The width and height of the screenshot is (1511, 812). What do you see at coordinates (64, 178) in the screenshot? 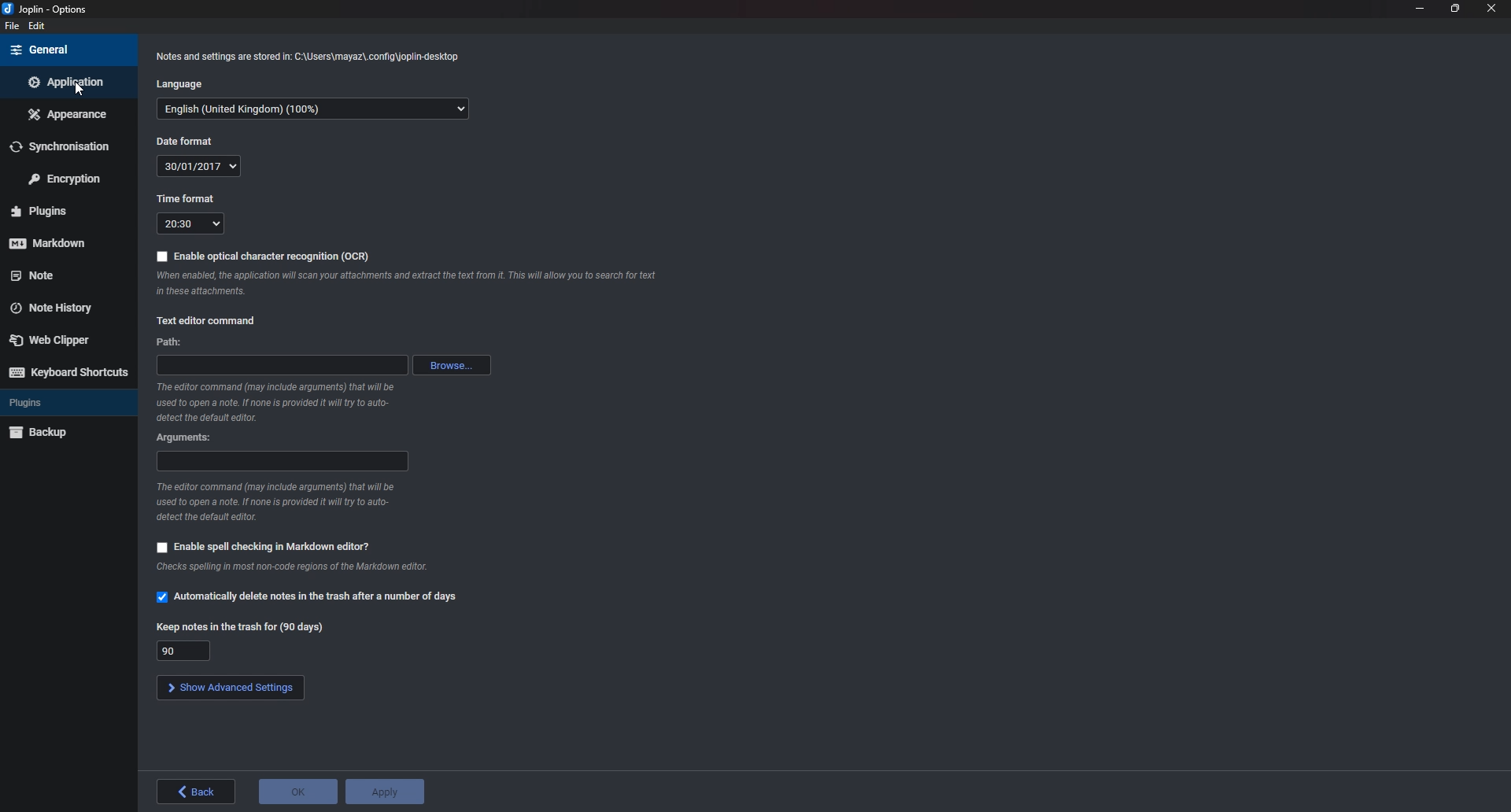
I see `Encryption` at bounding box center [64, 178].